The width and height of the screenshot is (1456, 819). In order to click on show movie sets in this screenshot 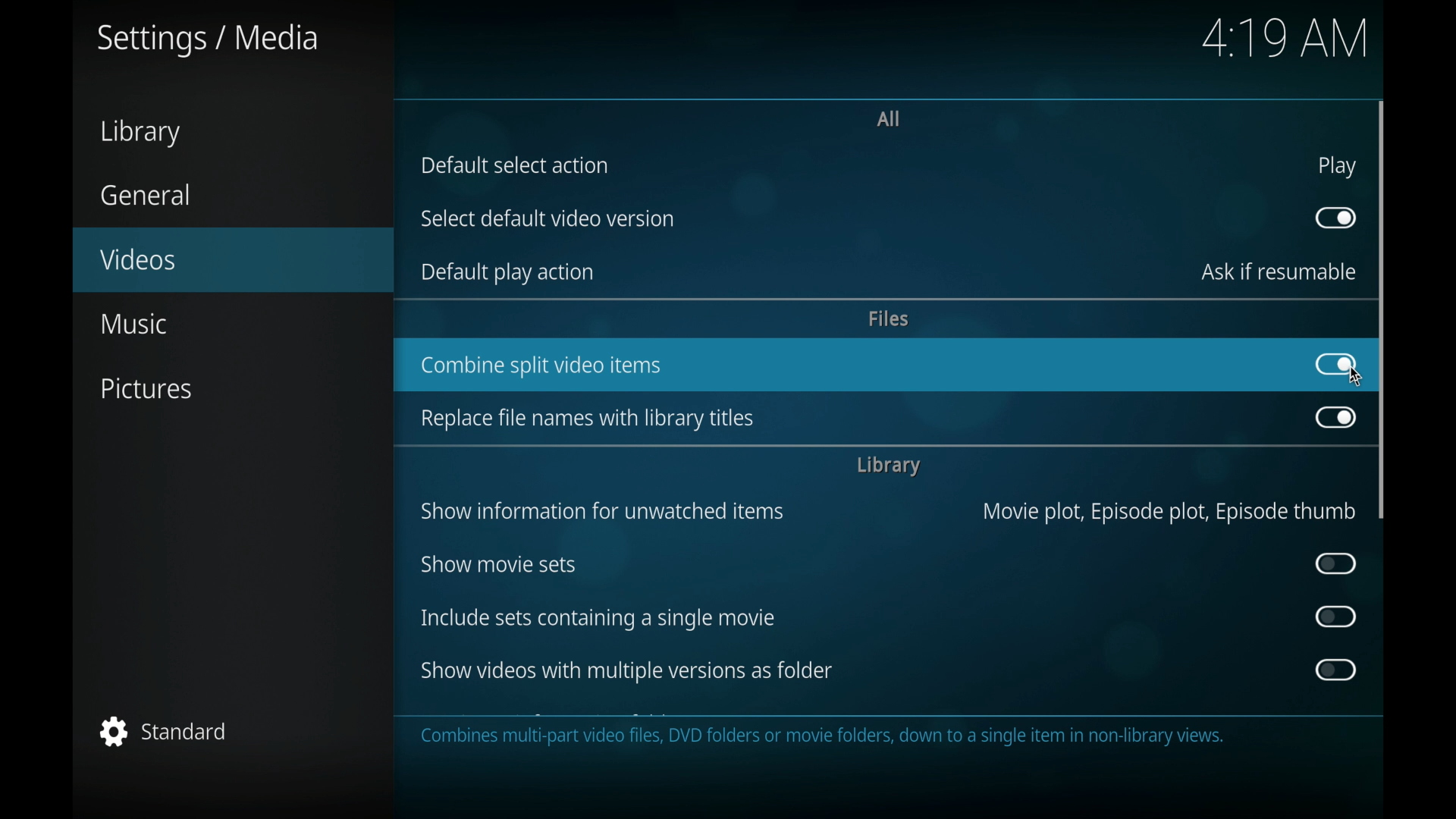, I will do `click(497, 565)`.